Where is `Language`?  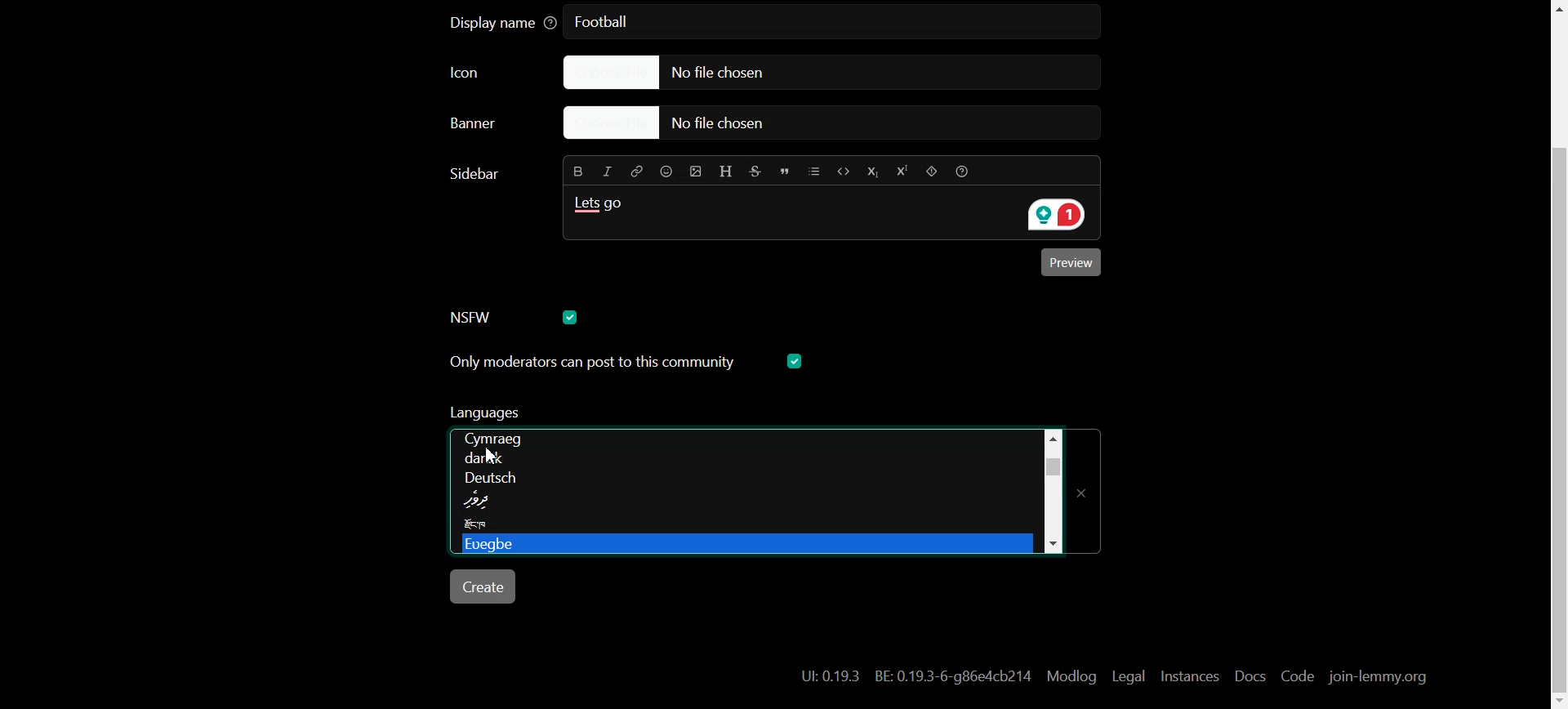 Language is located at coordinates (739, 487).